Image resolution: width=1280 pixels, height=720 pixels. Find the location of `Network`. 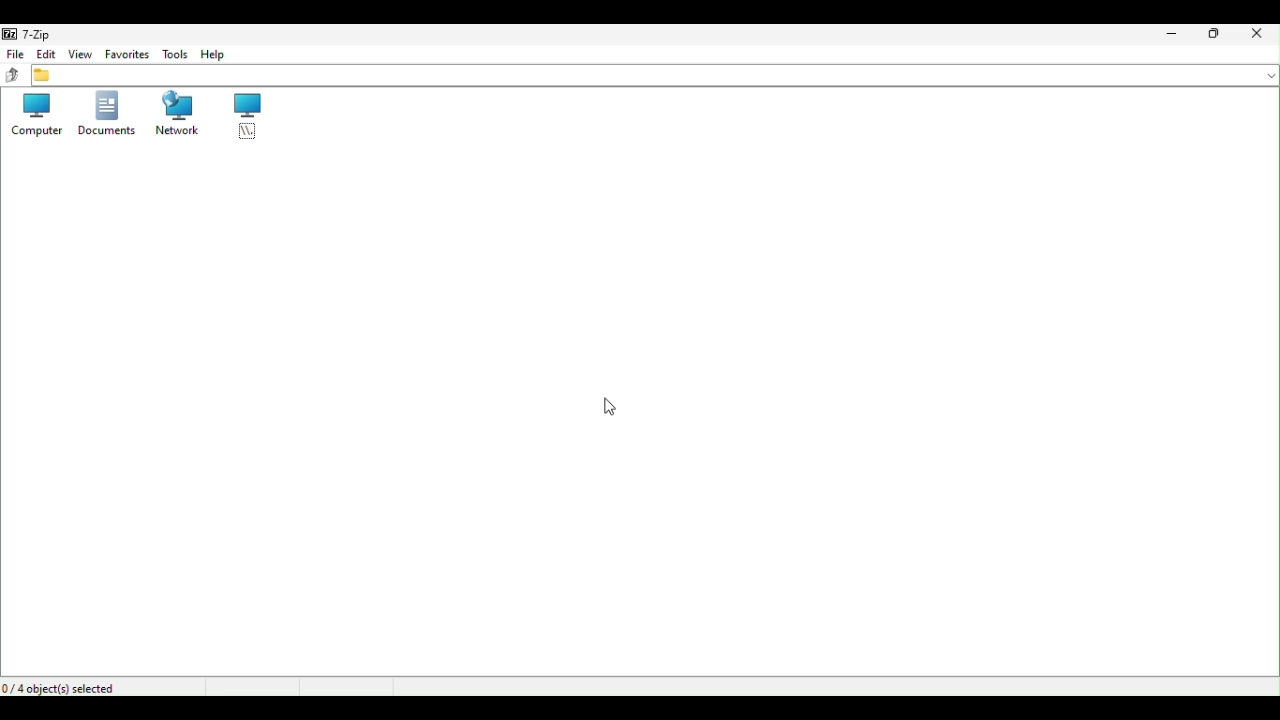

Network is located at coordinates (179, 114).